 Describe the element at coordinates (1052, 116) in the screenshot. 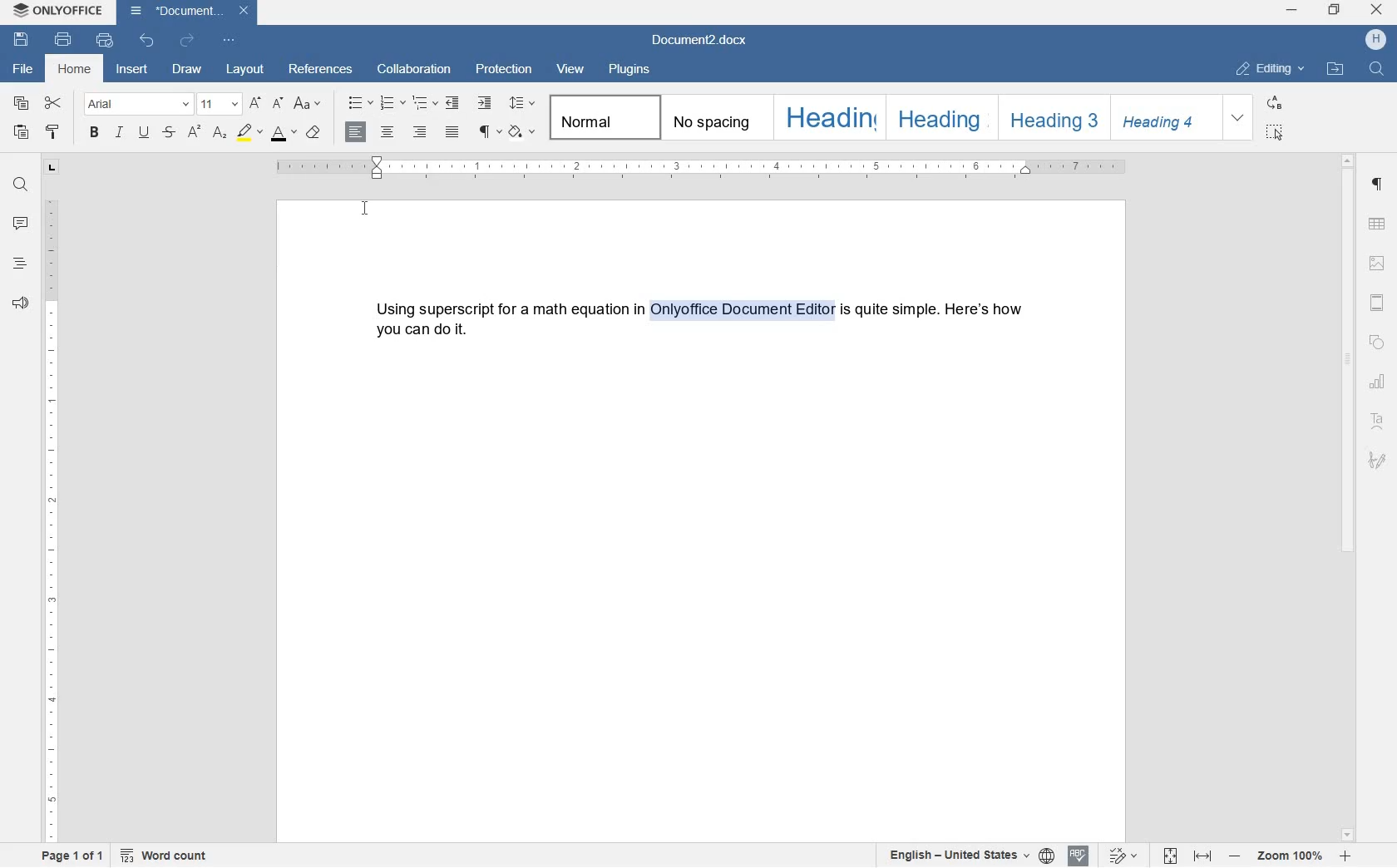

I see `HEADING 3` at that location.